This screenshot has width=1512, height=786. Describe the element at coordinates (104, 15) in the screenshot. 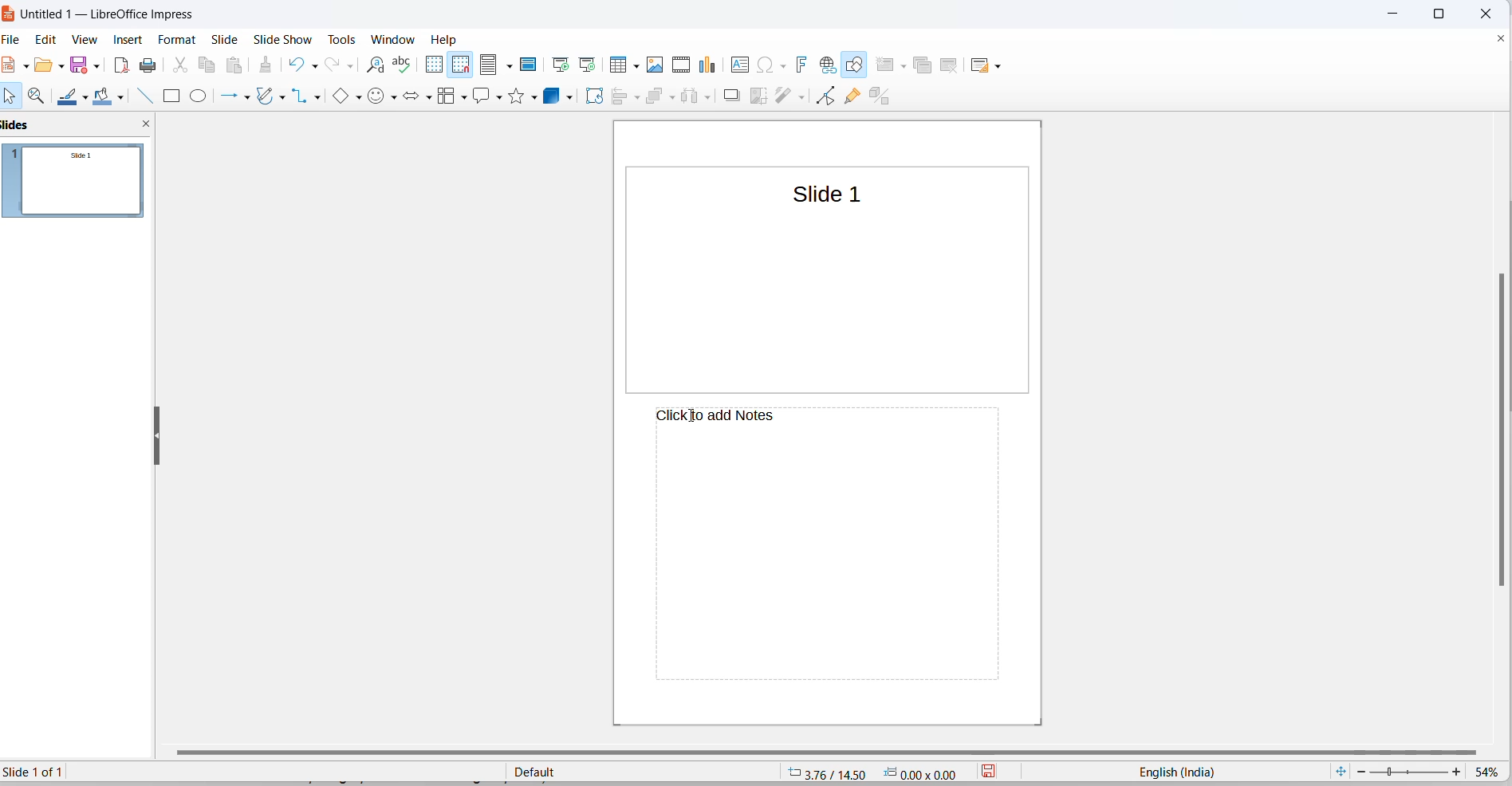

I see `file title` at that location.